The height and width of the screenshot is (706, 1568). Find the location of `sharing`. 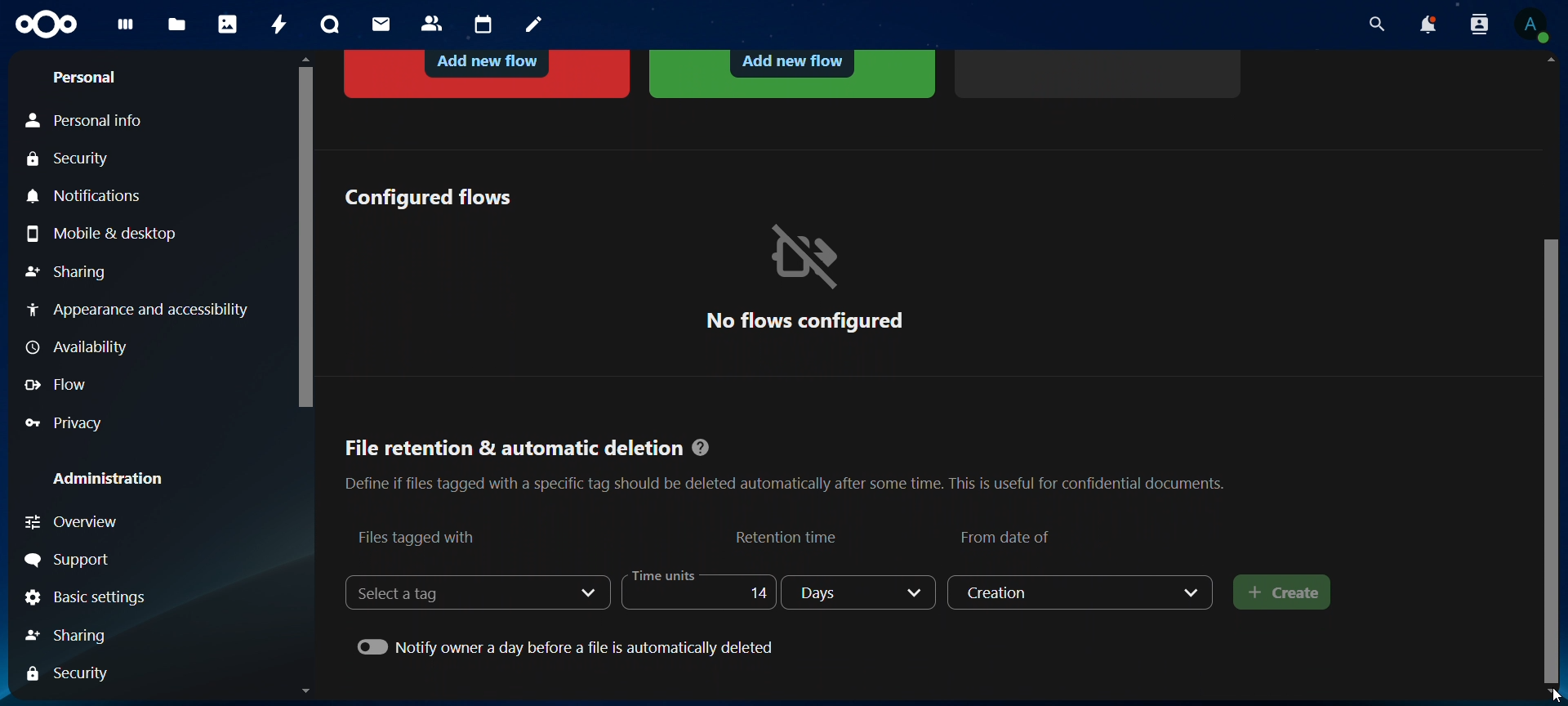

sharing is located at coordinates (84, 633).